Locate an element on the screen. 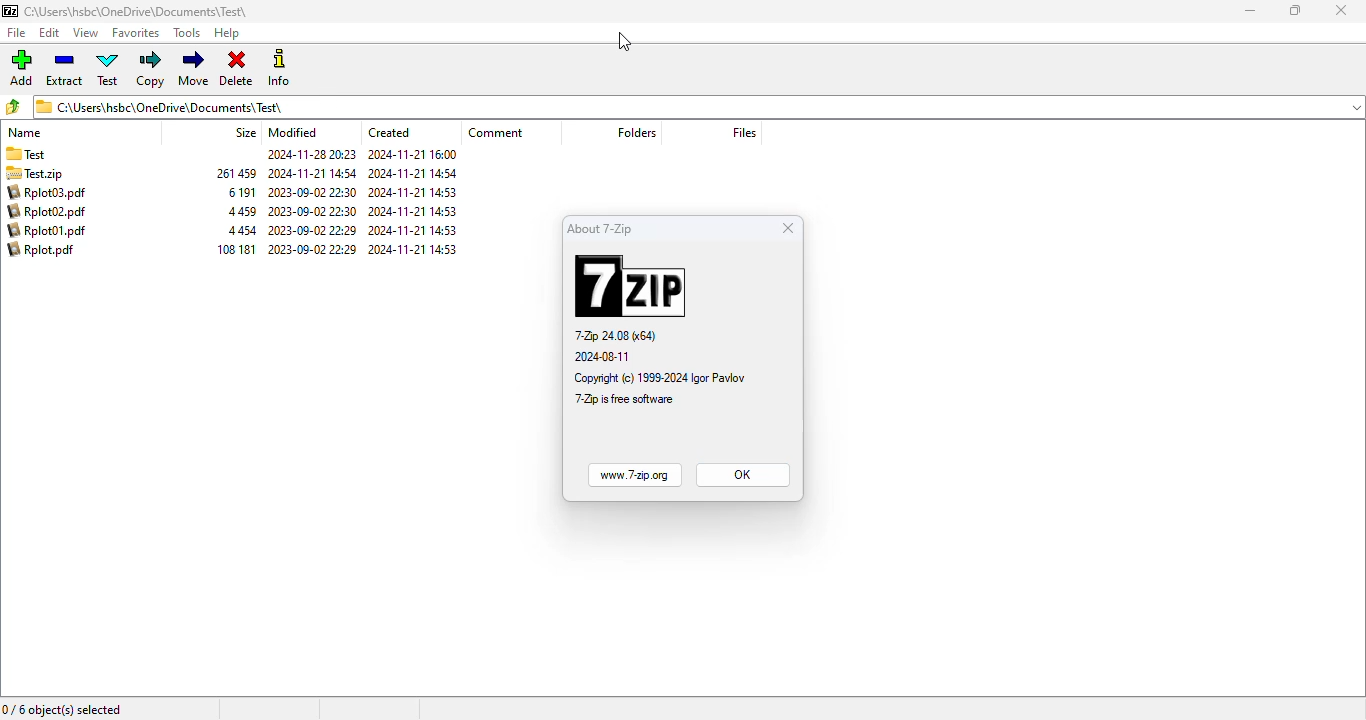 This screenshot has height=720, width=1366. 4 459 is located at coordinates (244, 212).